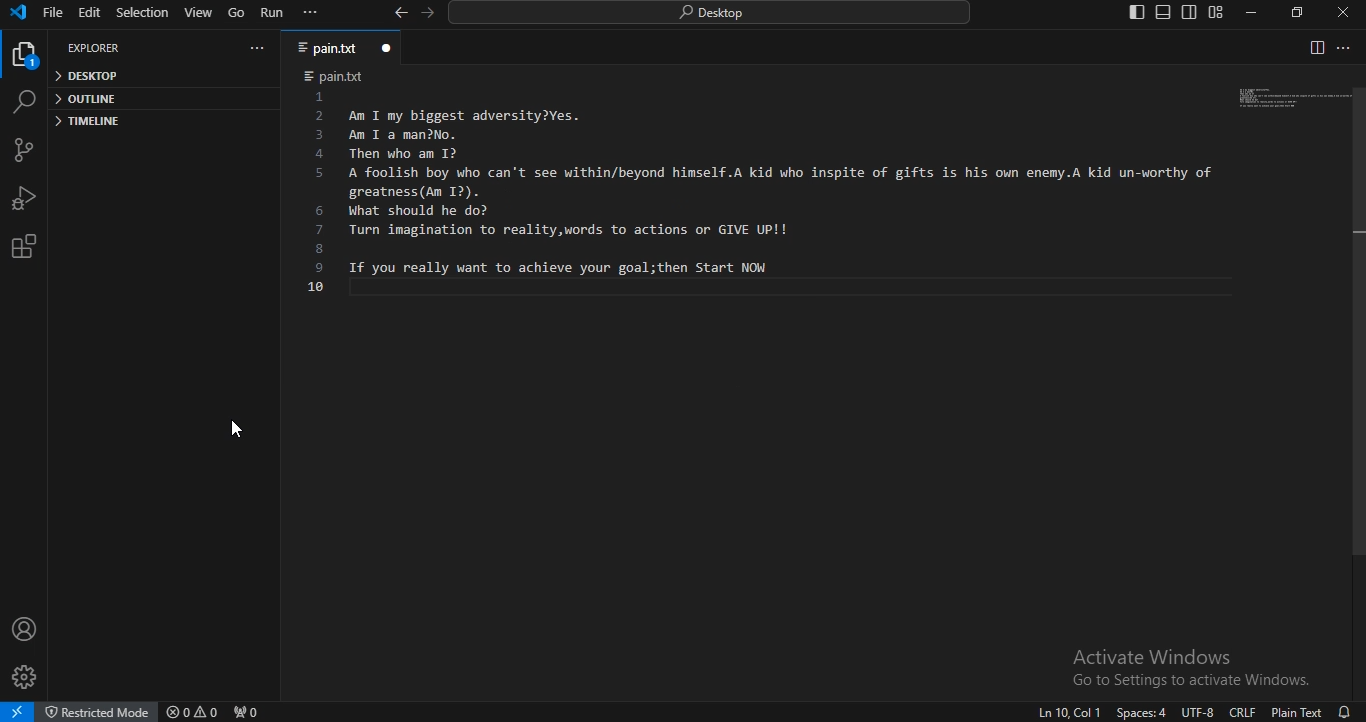 This screenshot has height=722, width=1366. Describe the element at coordinates (1174, 712) in the screenshot. I see `Ln10 Col 1 Spaces:4 UTF-8 CRLF Plain Text` at that location.